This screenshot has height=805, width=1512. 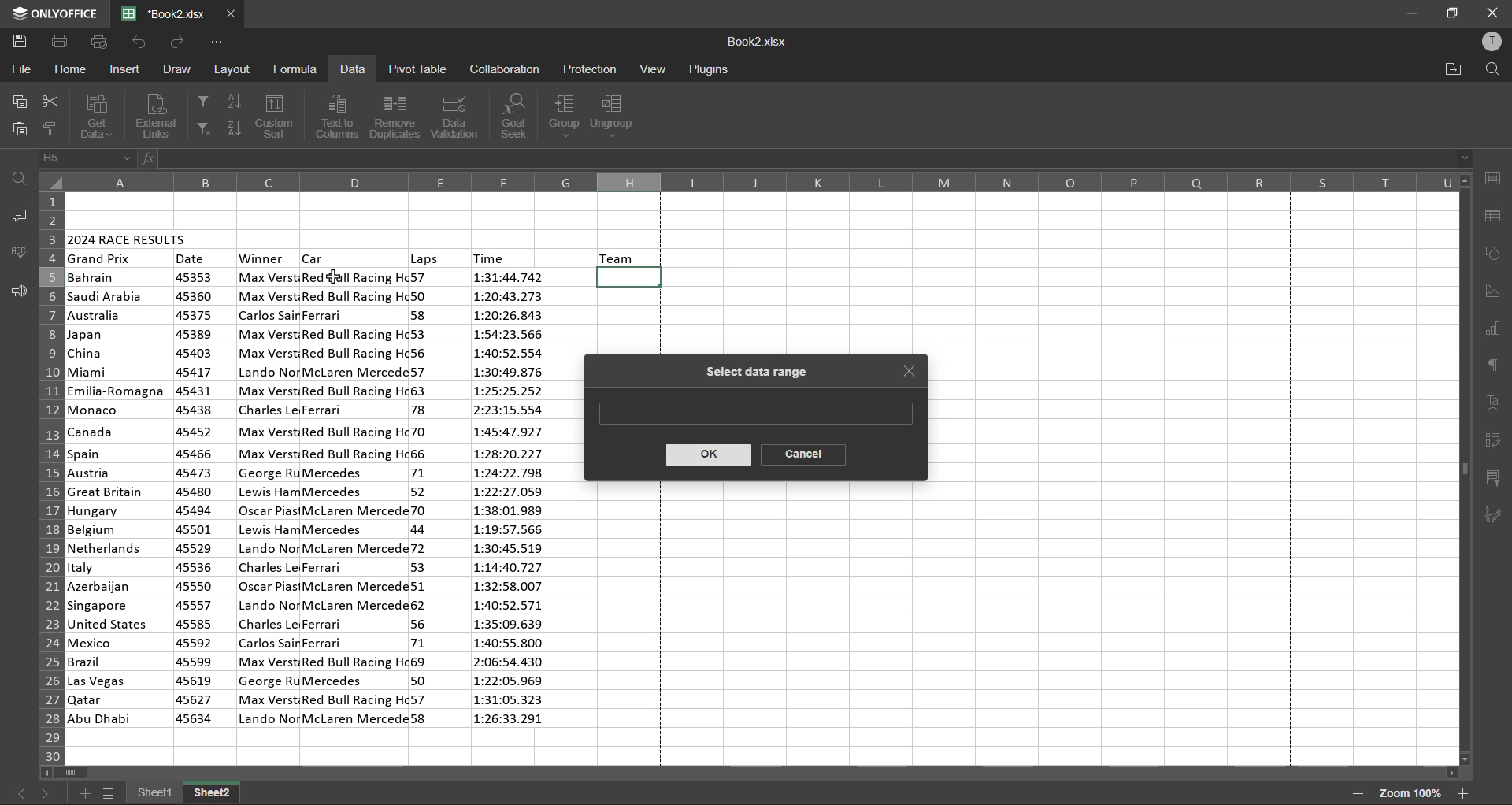 I want to click on filename, so click(x=757, y=43).